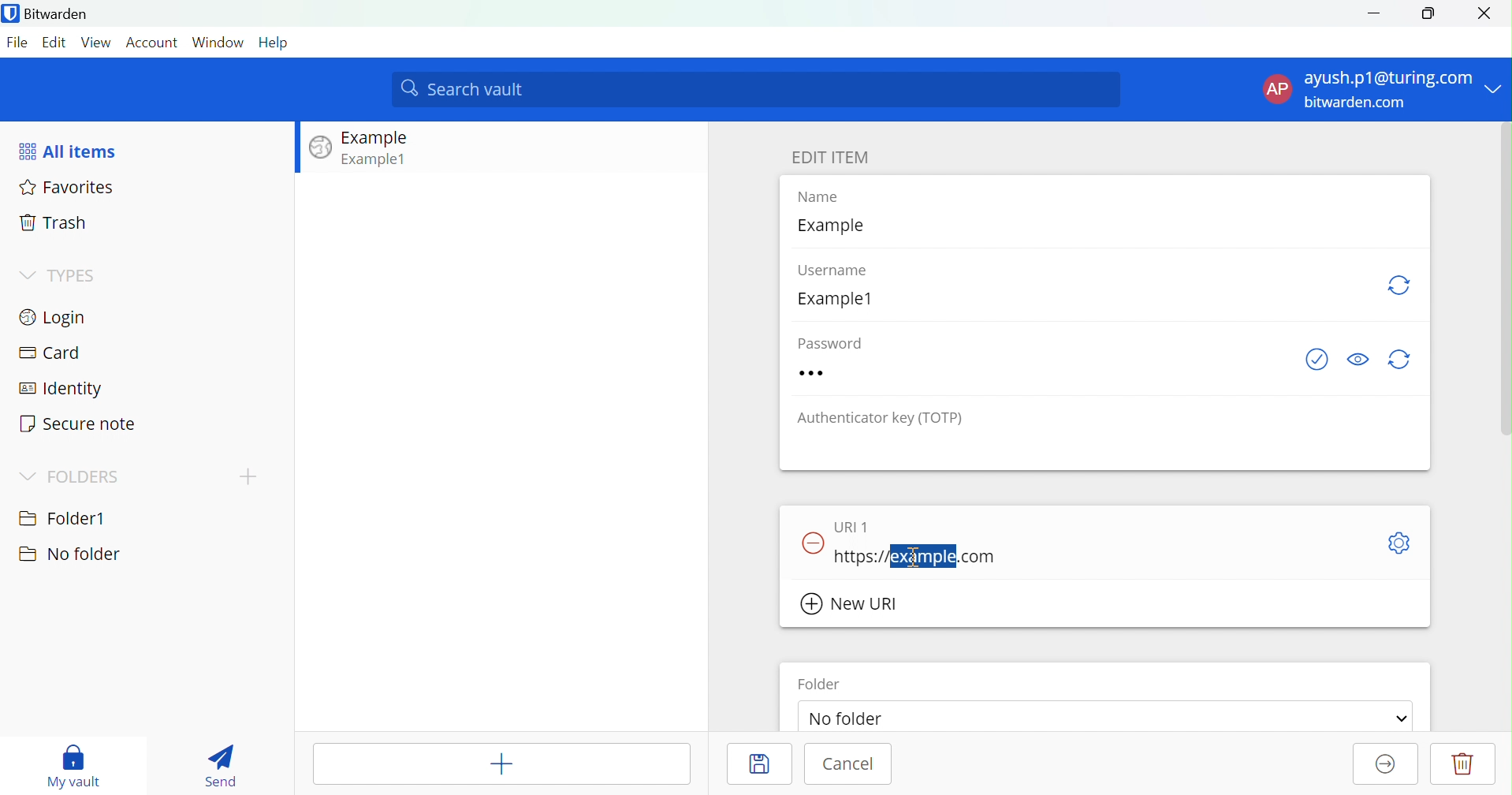 The image size is (1512, 795). I want to click on ayush.p1@turing.com, so click(1390, 78).